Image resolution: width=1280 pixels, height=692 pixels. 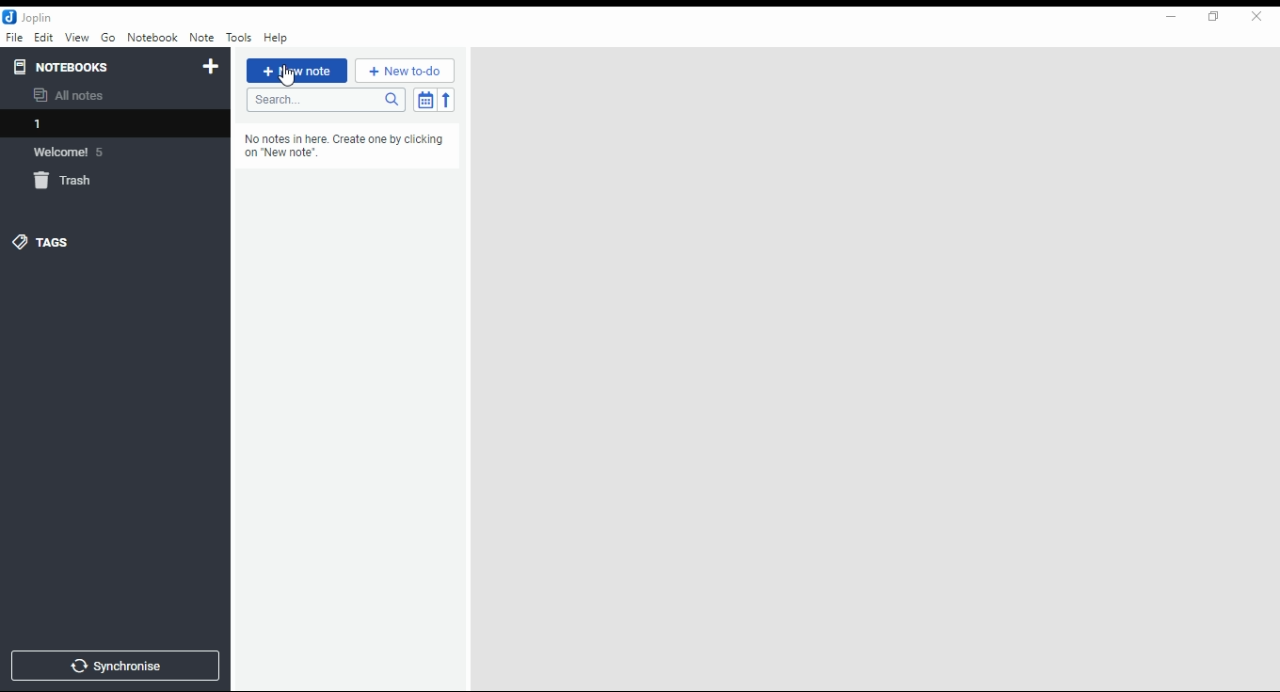 I want to click on new note, so click(x=297, y=71).